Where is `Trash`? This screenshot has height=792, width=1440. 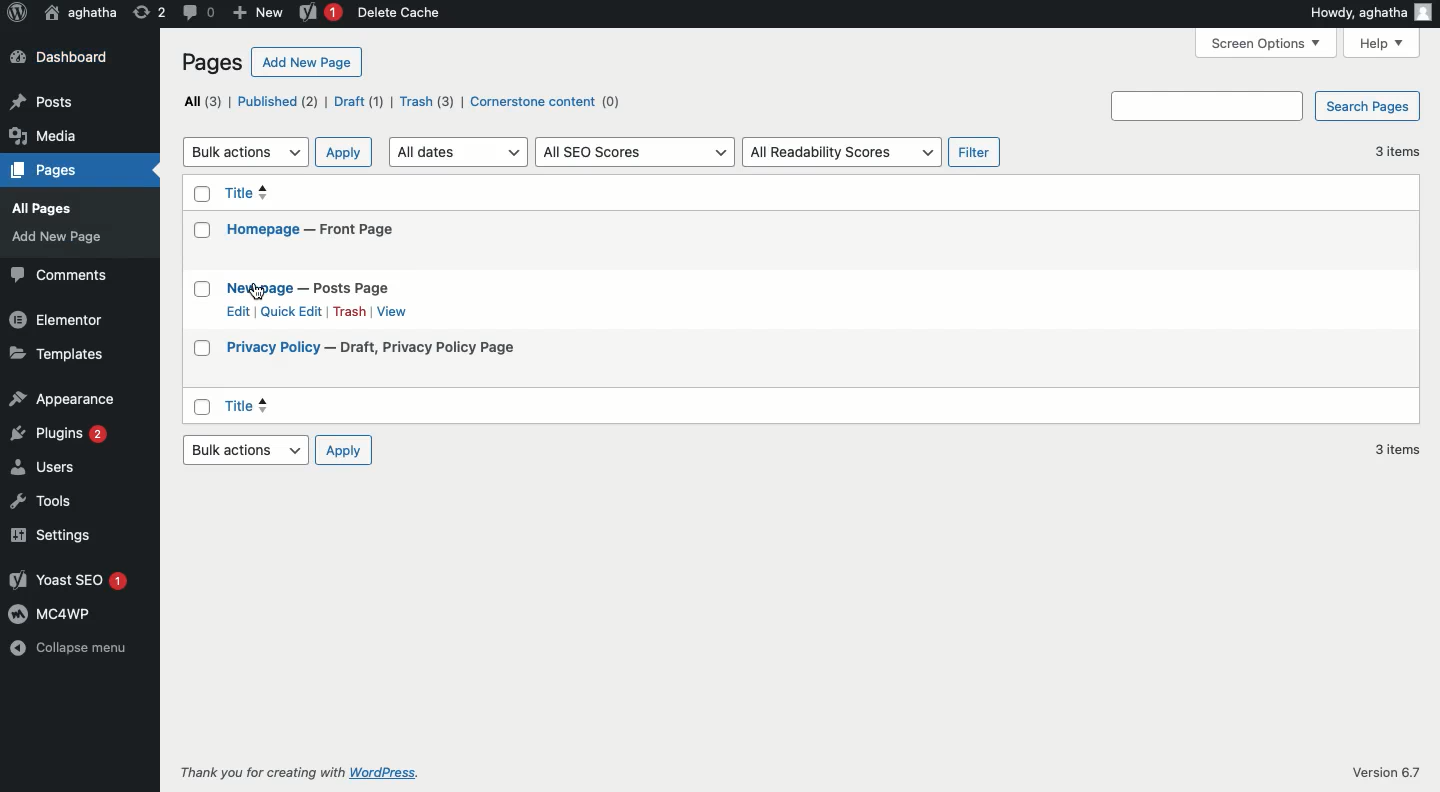
Trash is located at coordinates (350, 311).